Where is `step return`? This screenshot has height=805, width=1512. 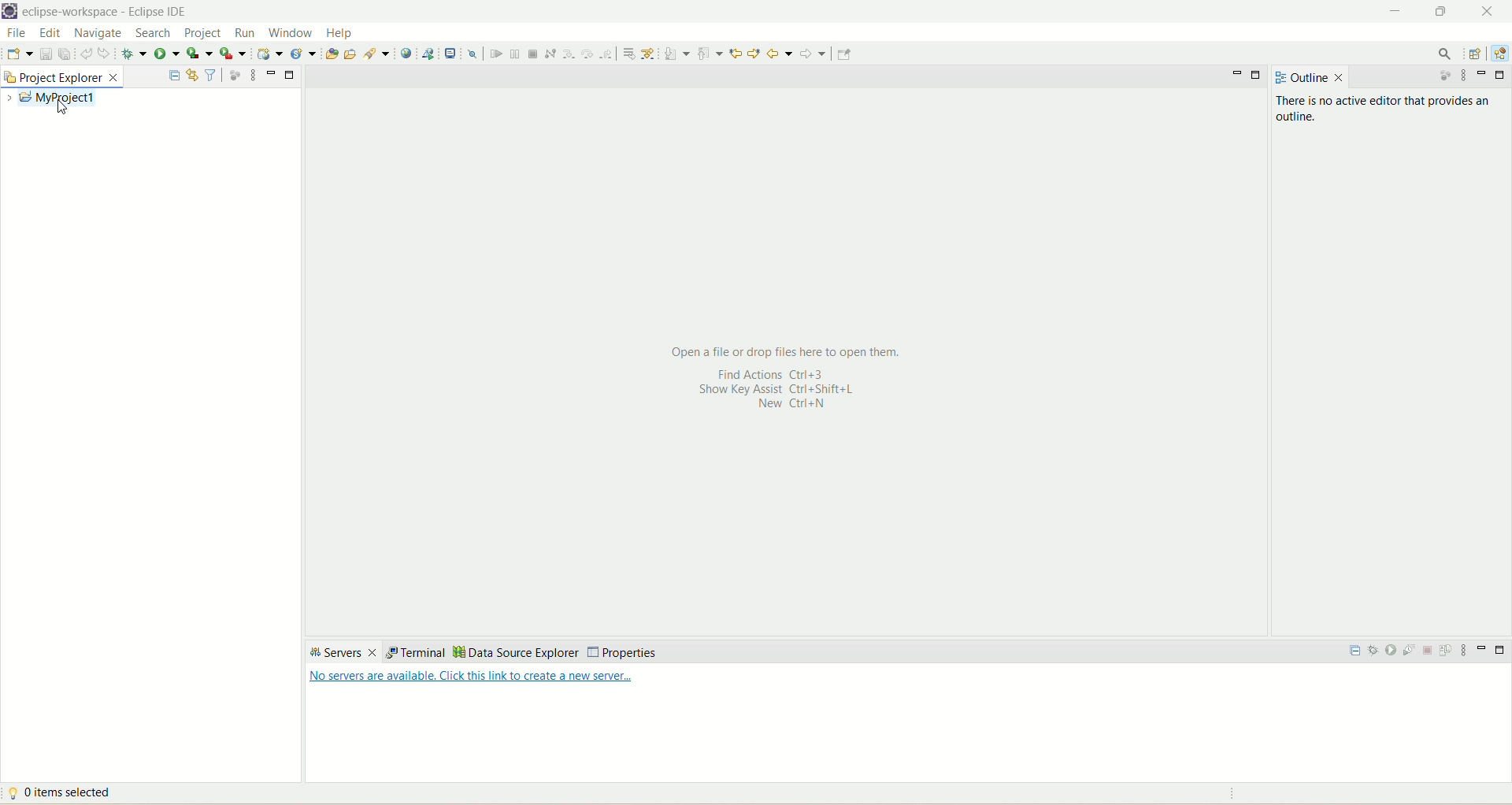 step return is located at coordinates (608, 53).